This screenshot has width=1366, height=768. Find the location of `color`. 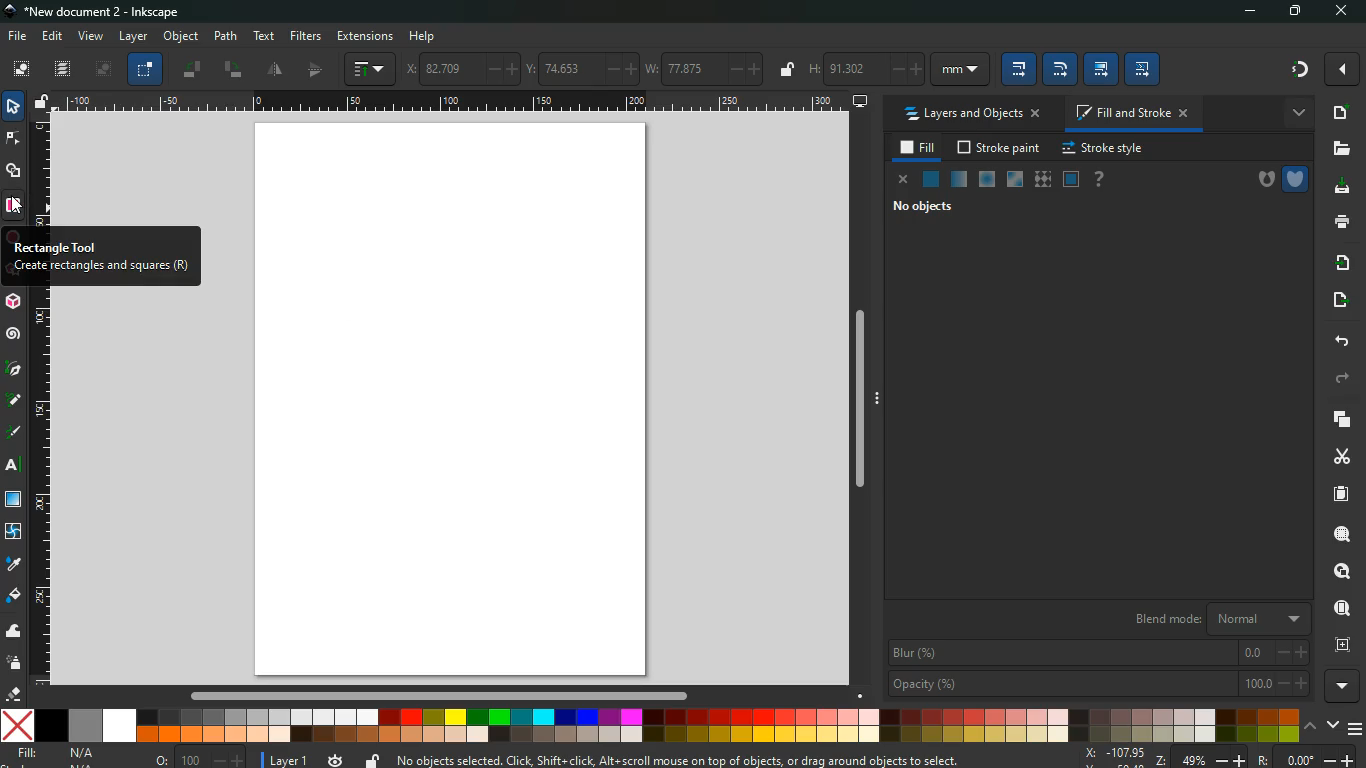

color is located at coordinates (651, 725).